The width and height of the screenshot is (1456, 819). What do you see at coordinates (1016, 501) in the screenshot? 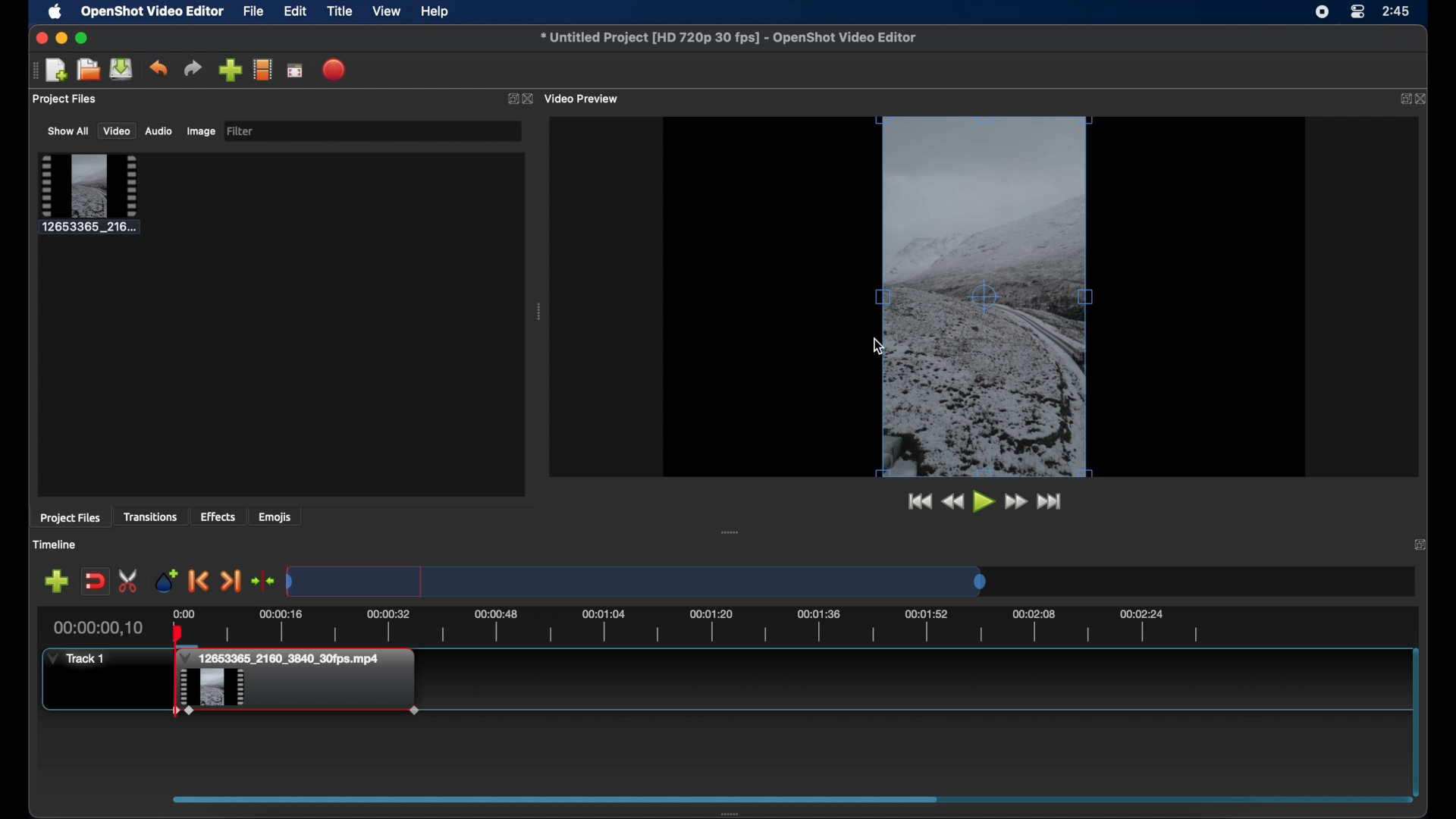
I see `fast forward` at bounding box center [1016, 501].